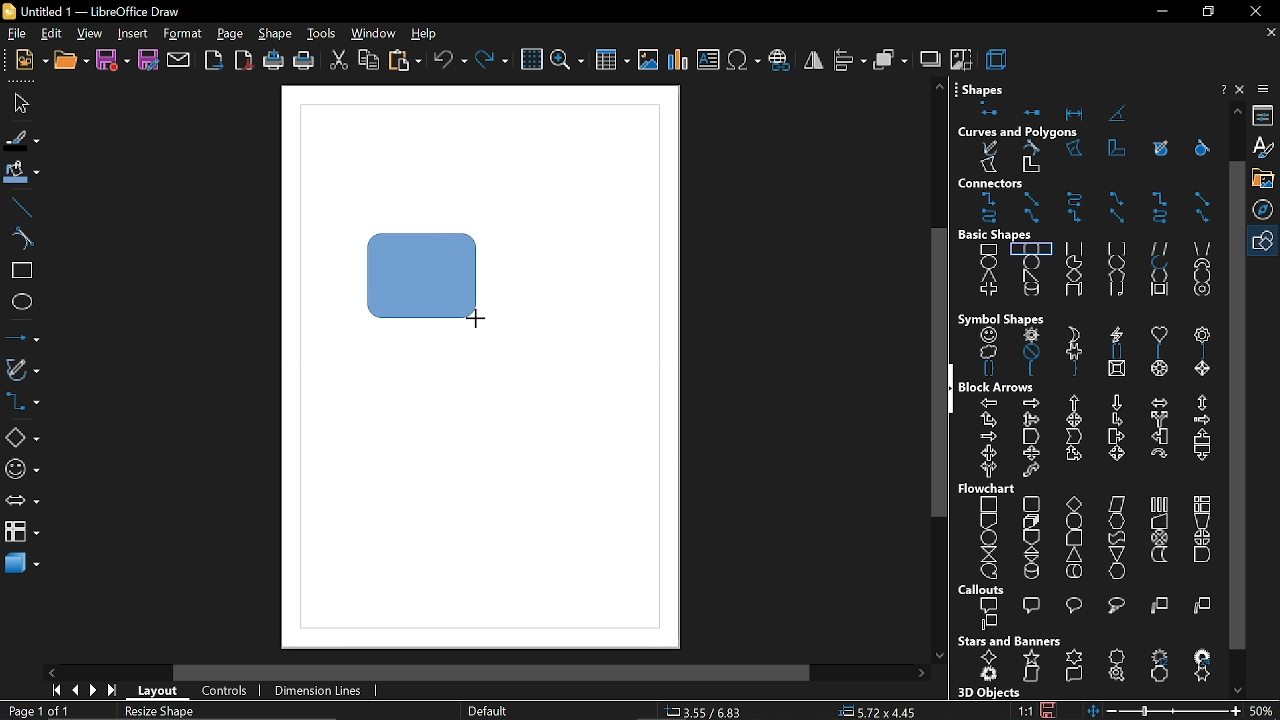 The width and height of the screenshot is (1280, 720). I want to click on help, so click(425, 35).